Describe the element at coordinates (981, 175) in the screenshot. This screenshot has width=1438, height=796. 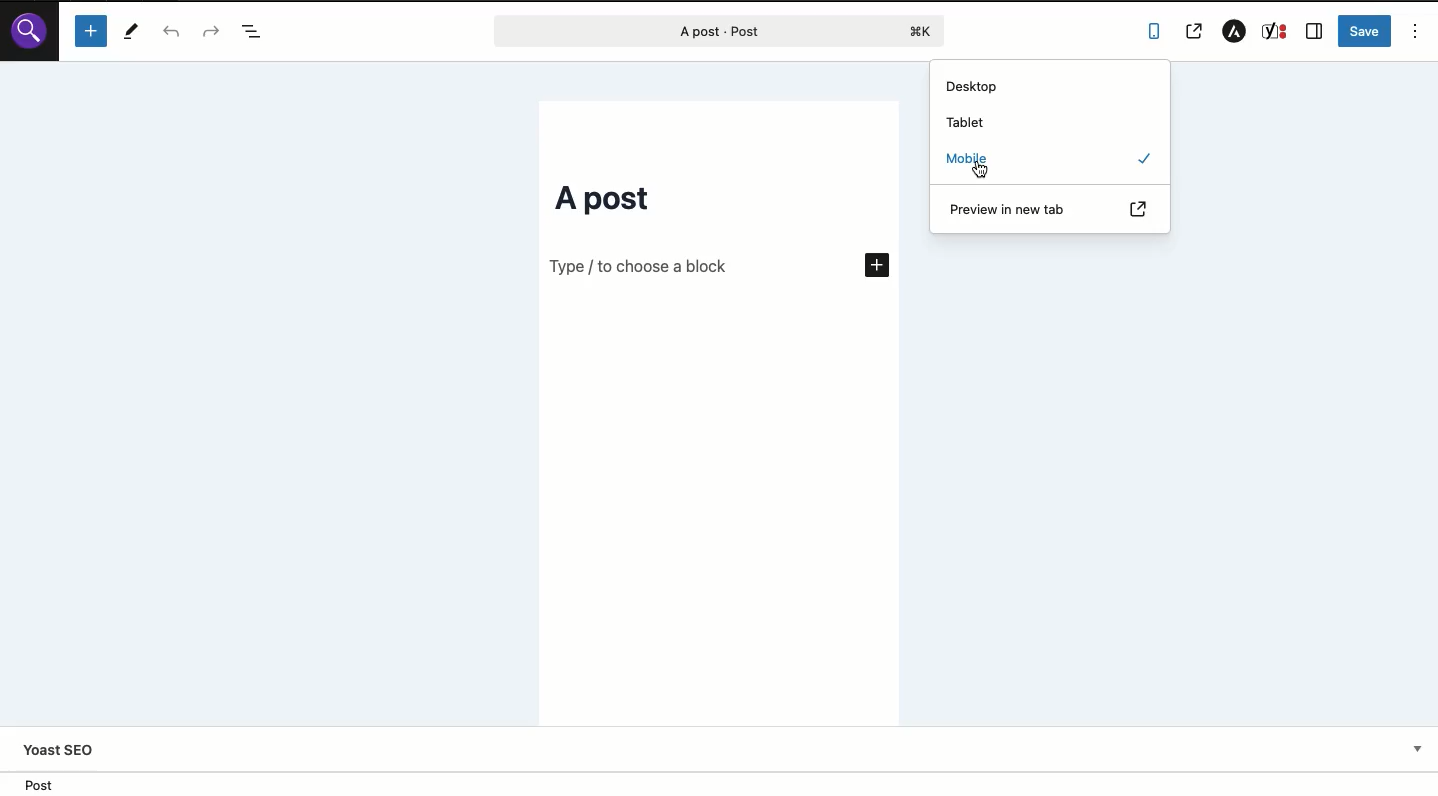
I see `cursor` at that location.